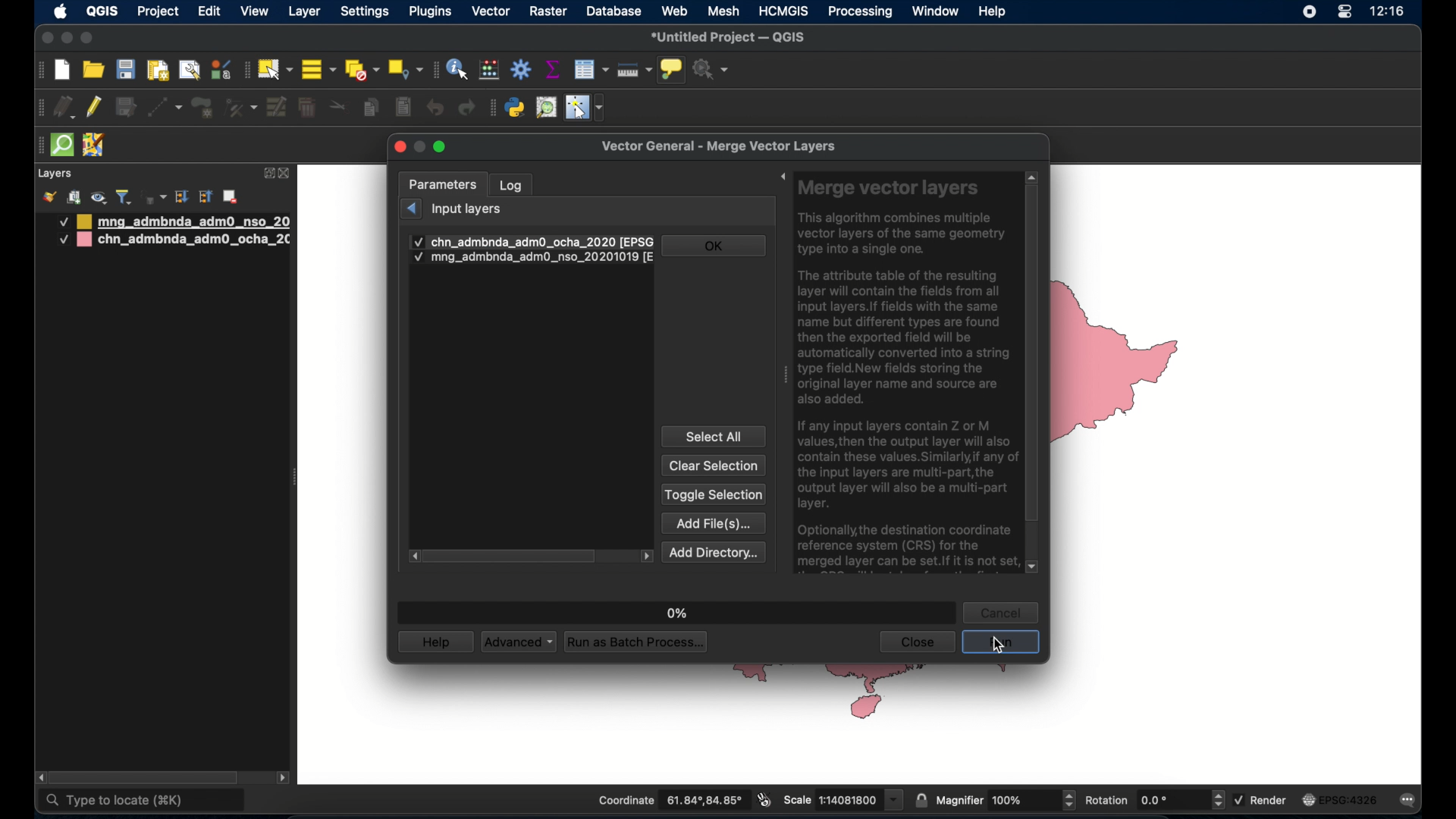 This screenshot has width=1456, height=819. I want to click on expand all, so click(181, 197).